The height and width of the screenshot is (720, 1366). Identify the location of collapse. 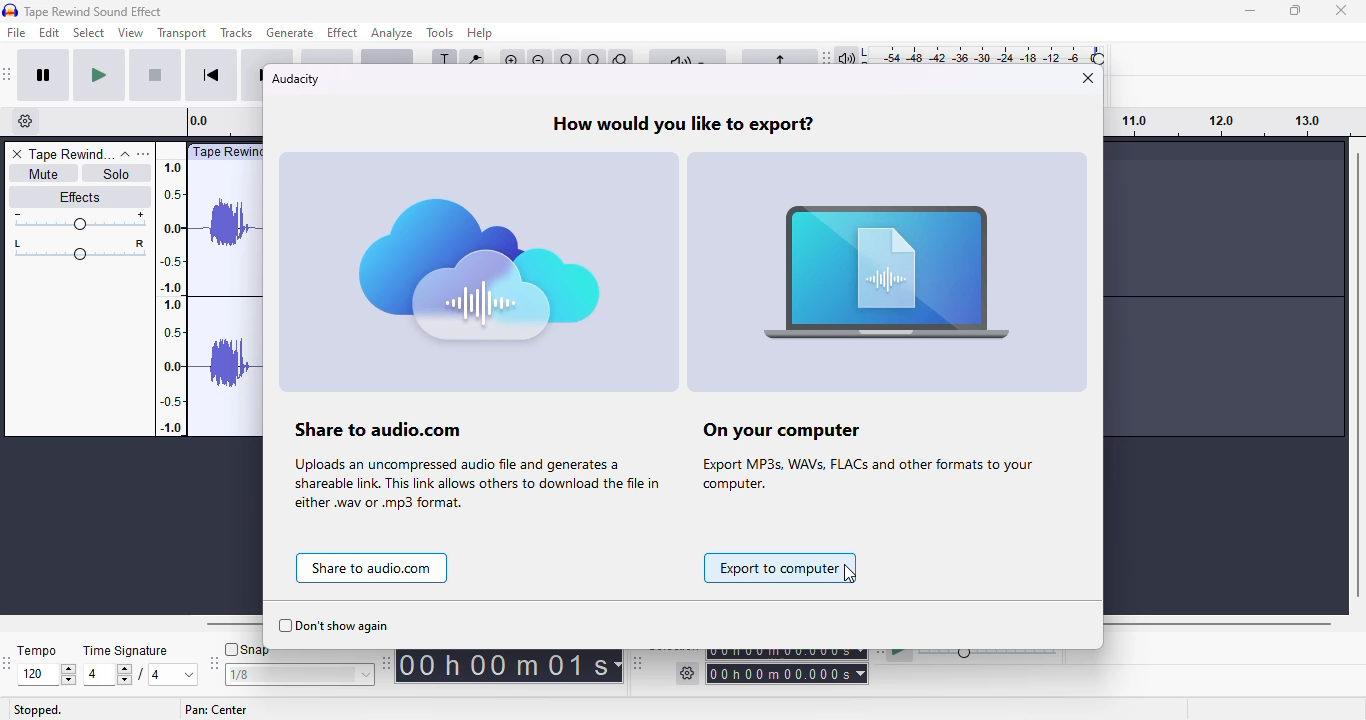
(126, 154).